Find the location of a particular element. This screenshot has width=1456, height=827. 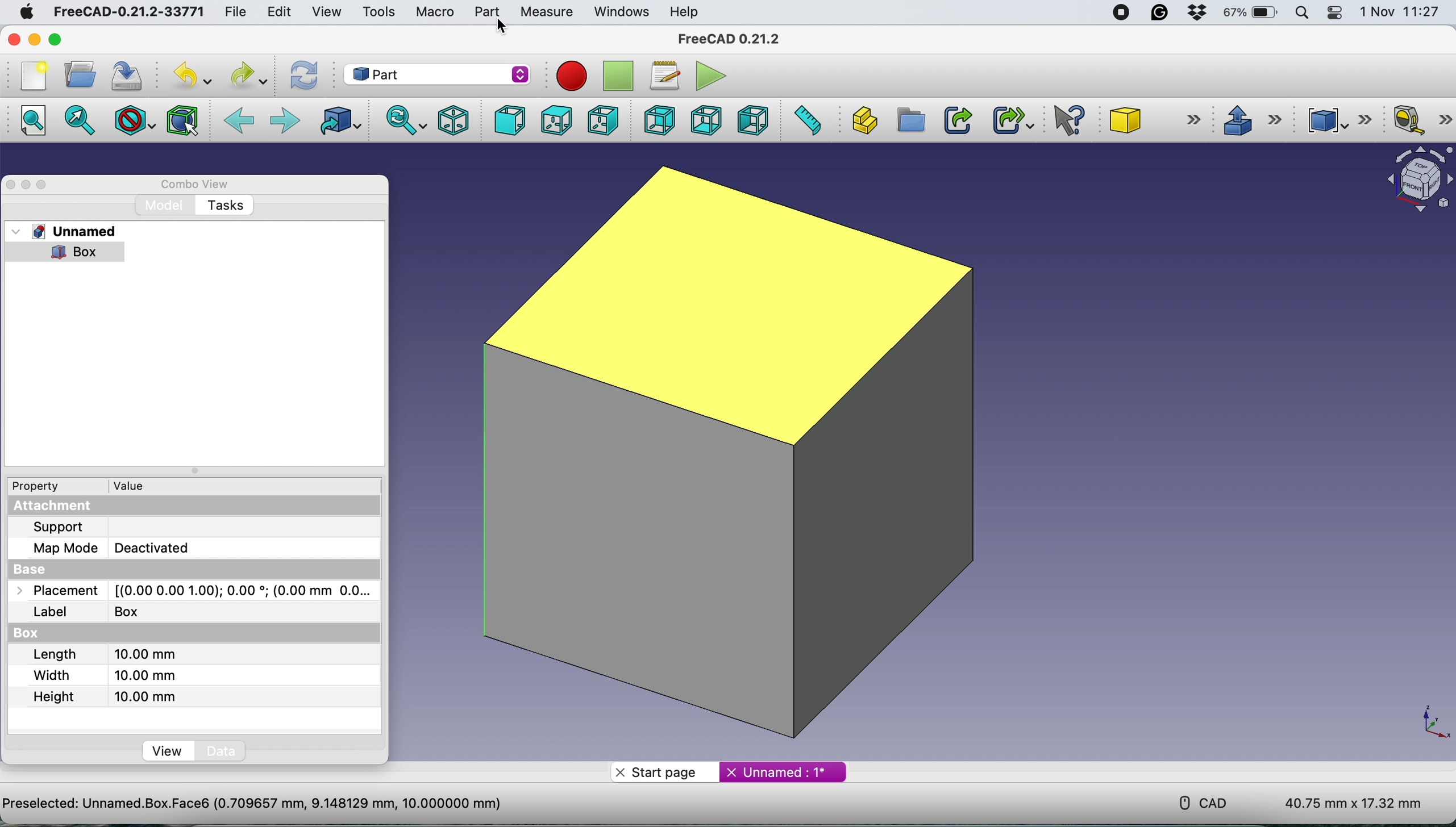

cad is located at coordinates (1197, 800).